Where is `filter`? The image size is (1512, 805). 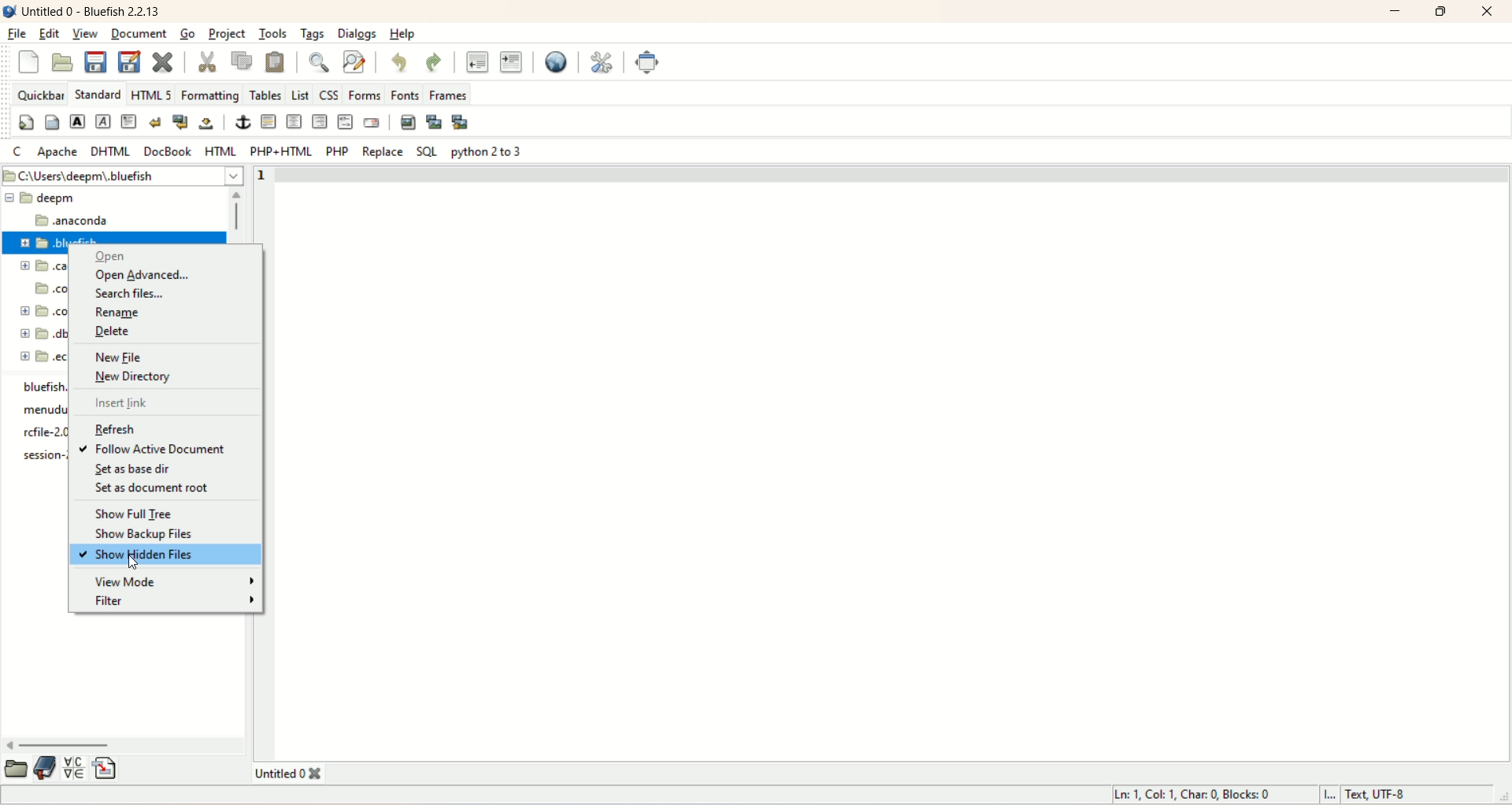
filter is located at coordinates (172, 601).